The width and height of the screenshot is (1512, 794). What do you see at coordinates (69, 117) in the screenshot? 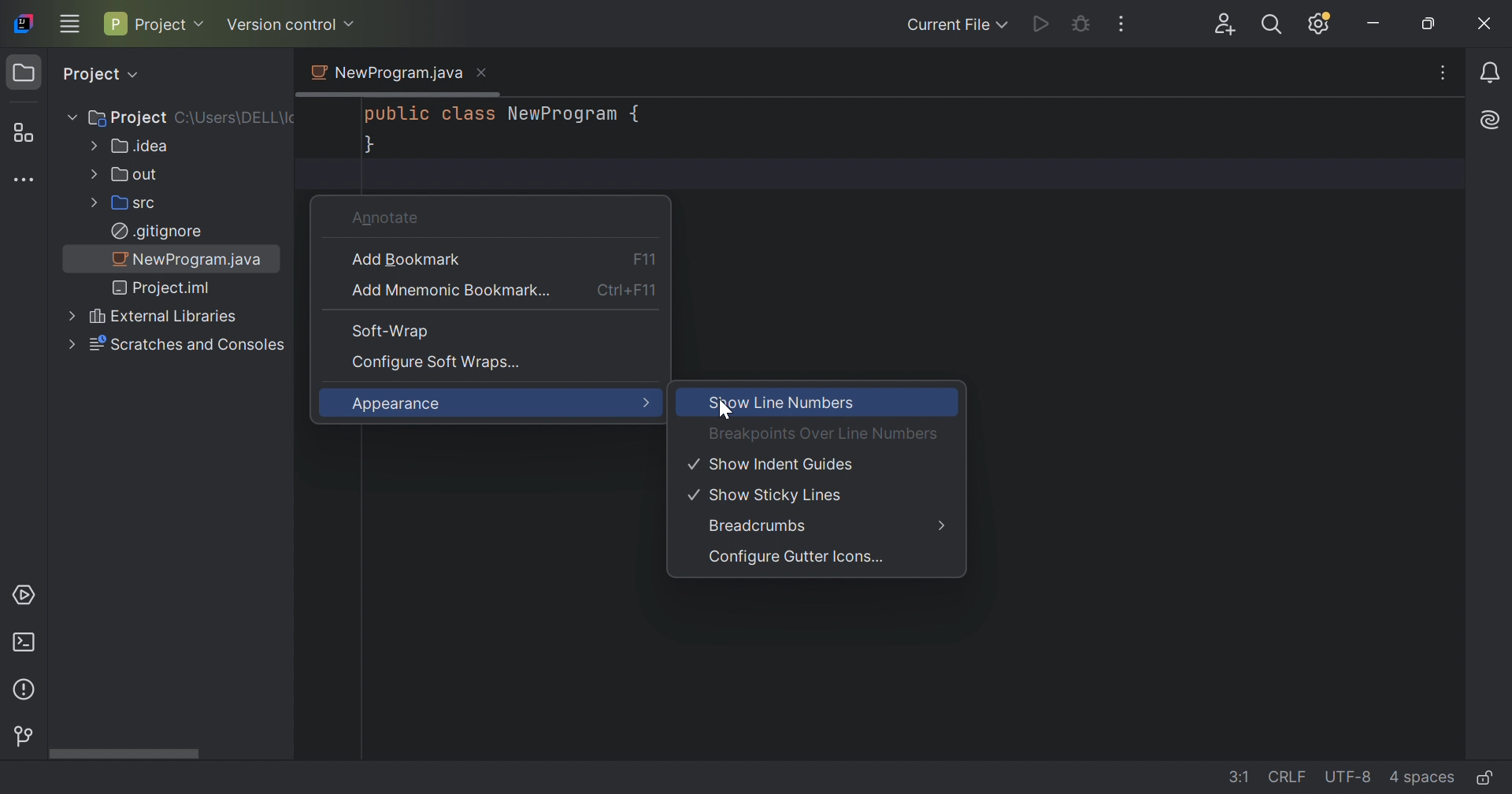
I see `Drop Down` at bounding box center [69, 117].